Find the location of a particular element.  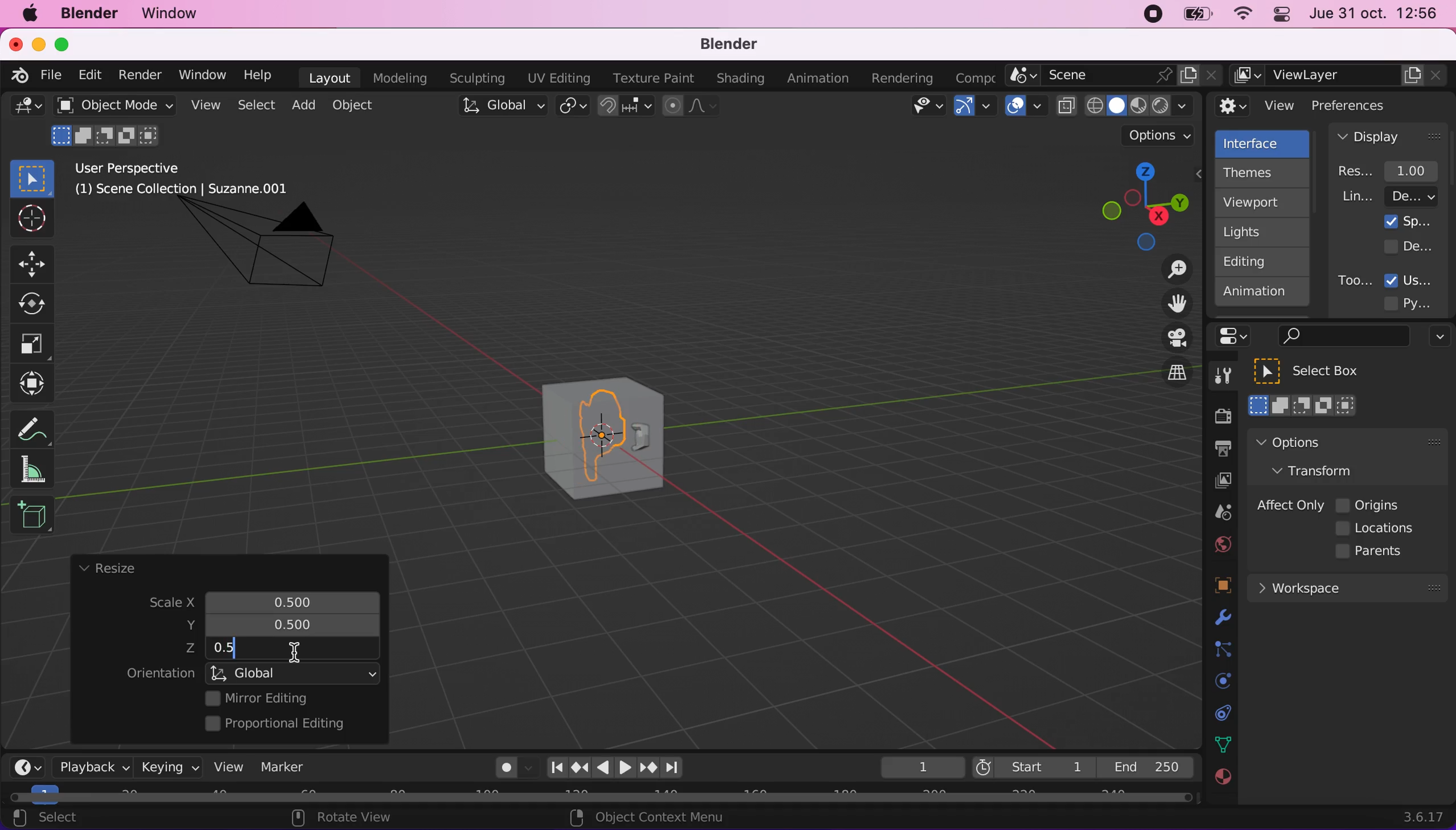

line width is located at coordinates (1389, 196).